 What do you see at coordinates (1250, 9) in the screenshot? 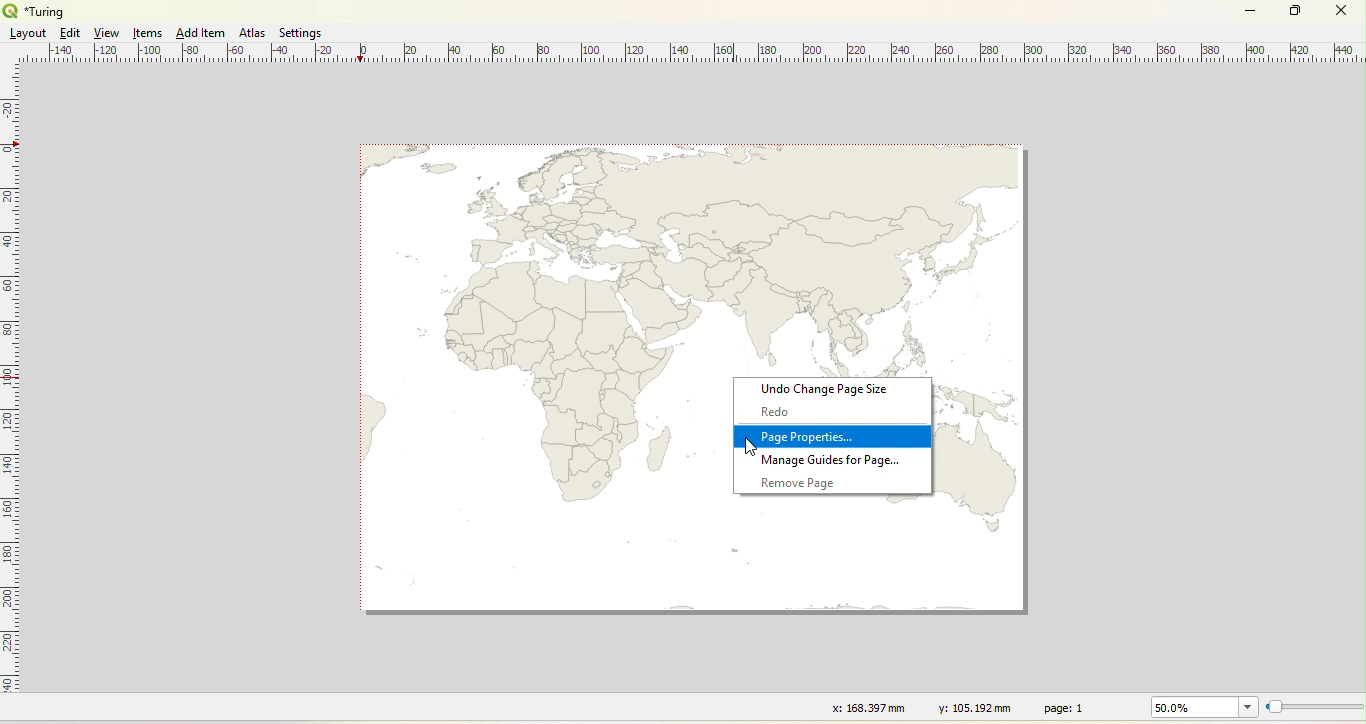
I see `Minimize` at bounding box center [1250, 9].